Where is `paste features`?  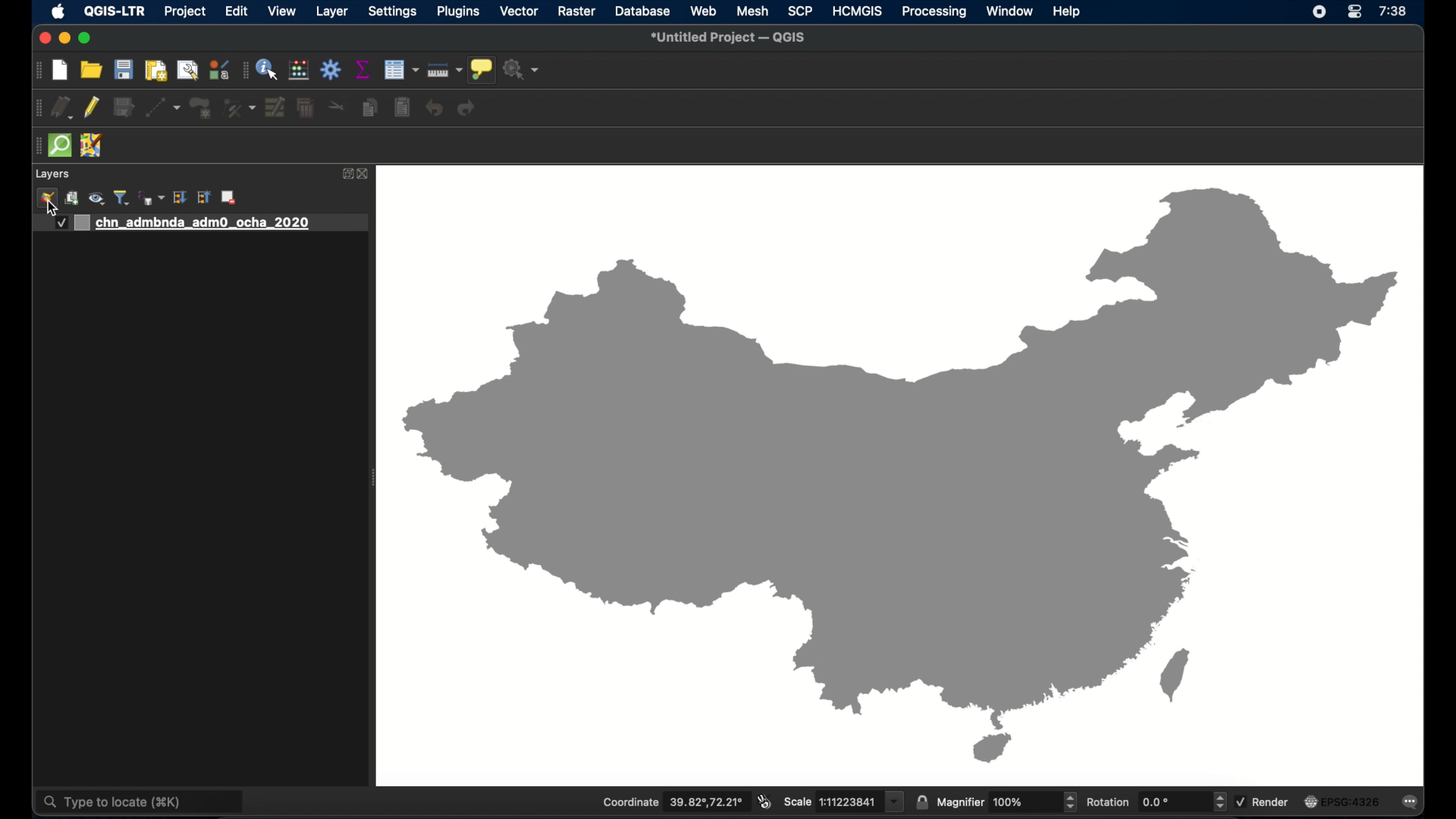
paste features is located at coordinates (403, 108).